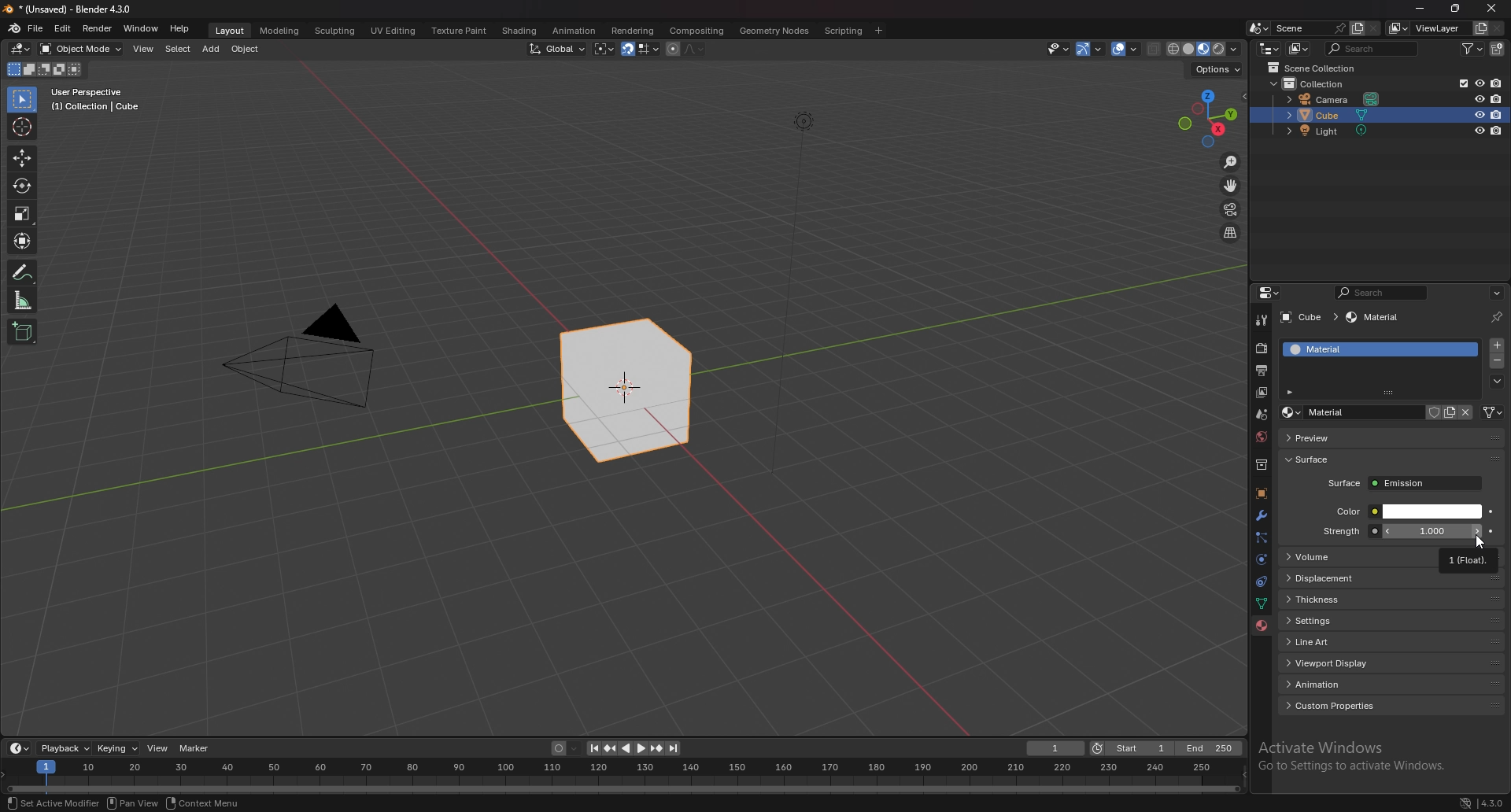  What do you see at coordinates (774, 30) in the screenshot?
I see `geometry nodes` at bounding box center [774, 30].